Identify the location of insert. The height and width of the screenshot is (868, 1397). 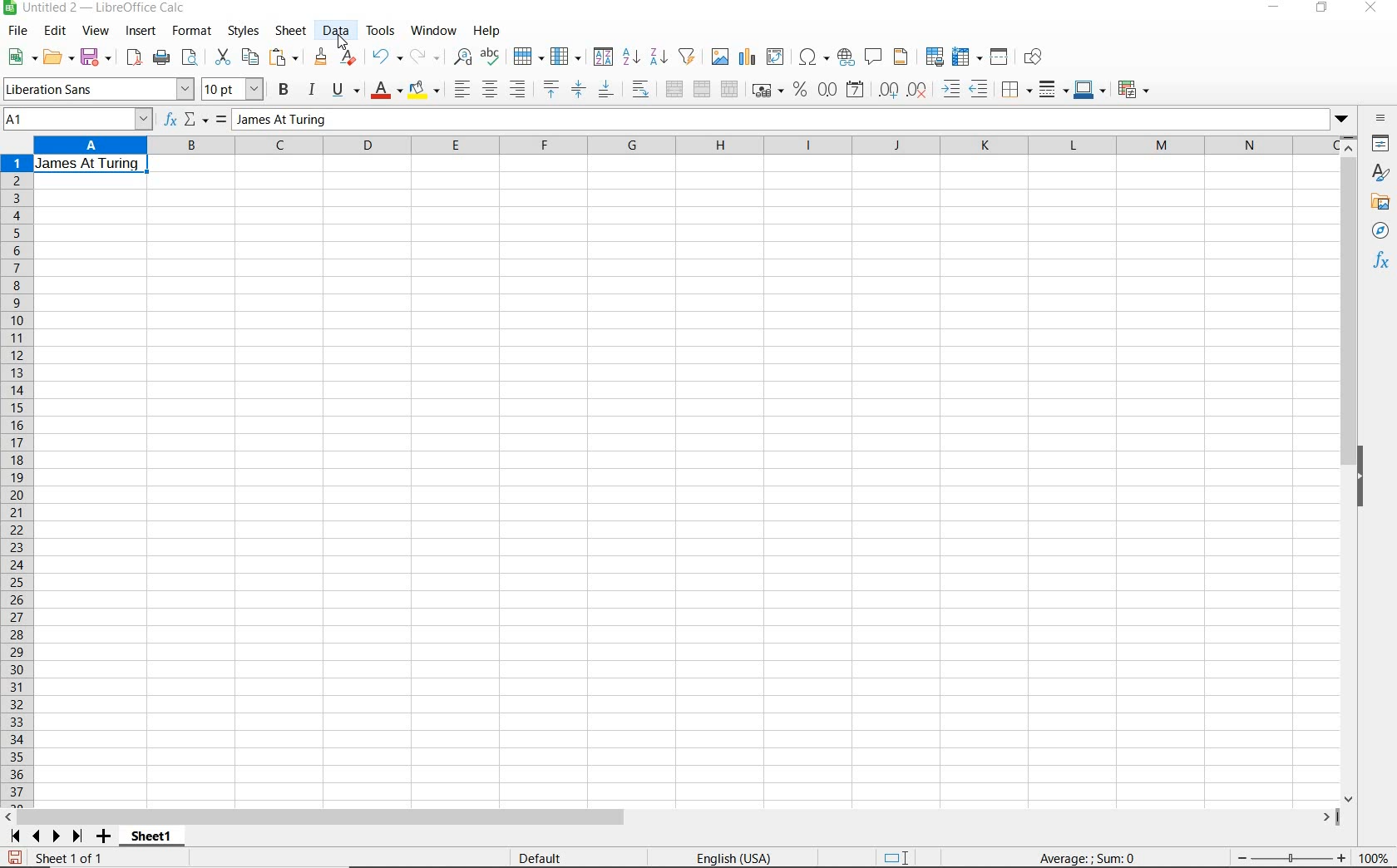
(141, 33).